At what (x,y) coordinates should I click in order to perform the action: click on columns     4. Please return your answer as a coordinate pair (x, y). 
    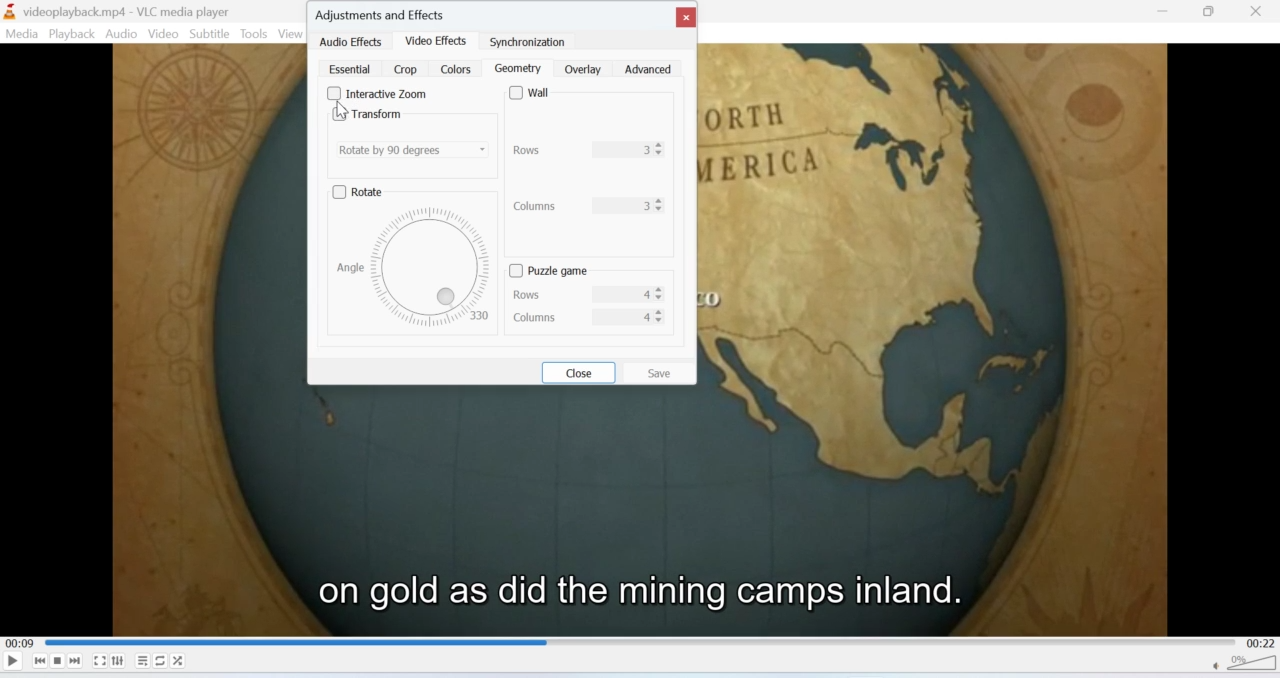
    Looking at the image, I should click on (583, 318).